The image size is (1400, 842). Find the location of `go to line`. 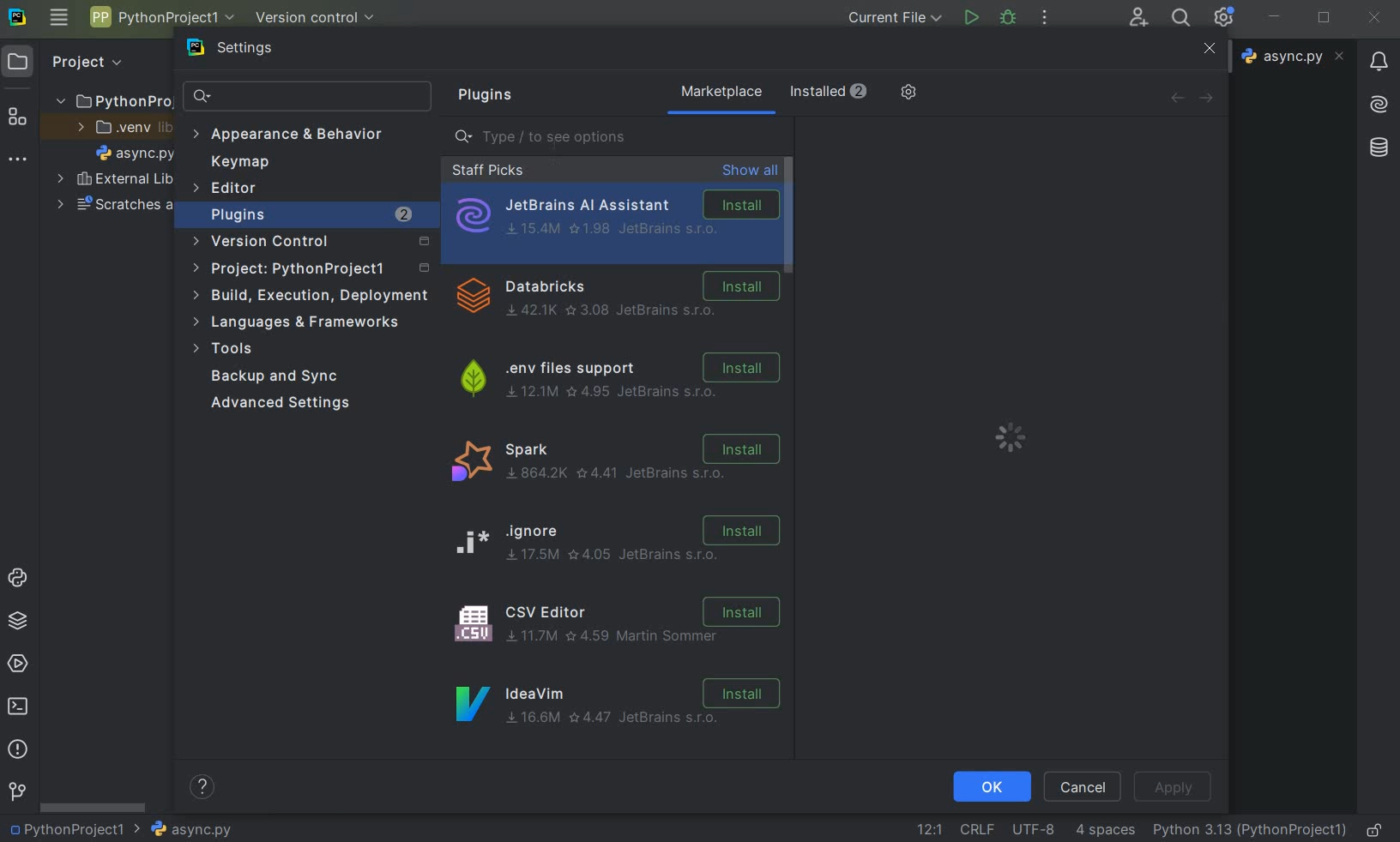

go to line is located at coordinates (930, 827).